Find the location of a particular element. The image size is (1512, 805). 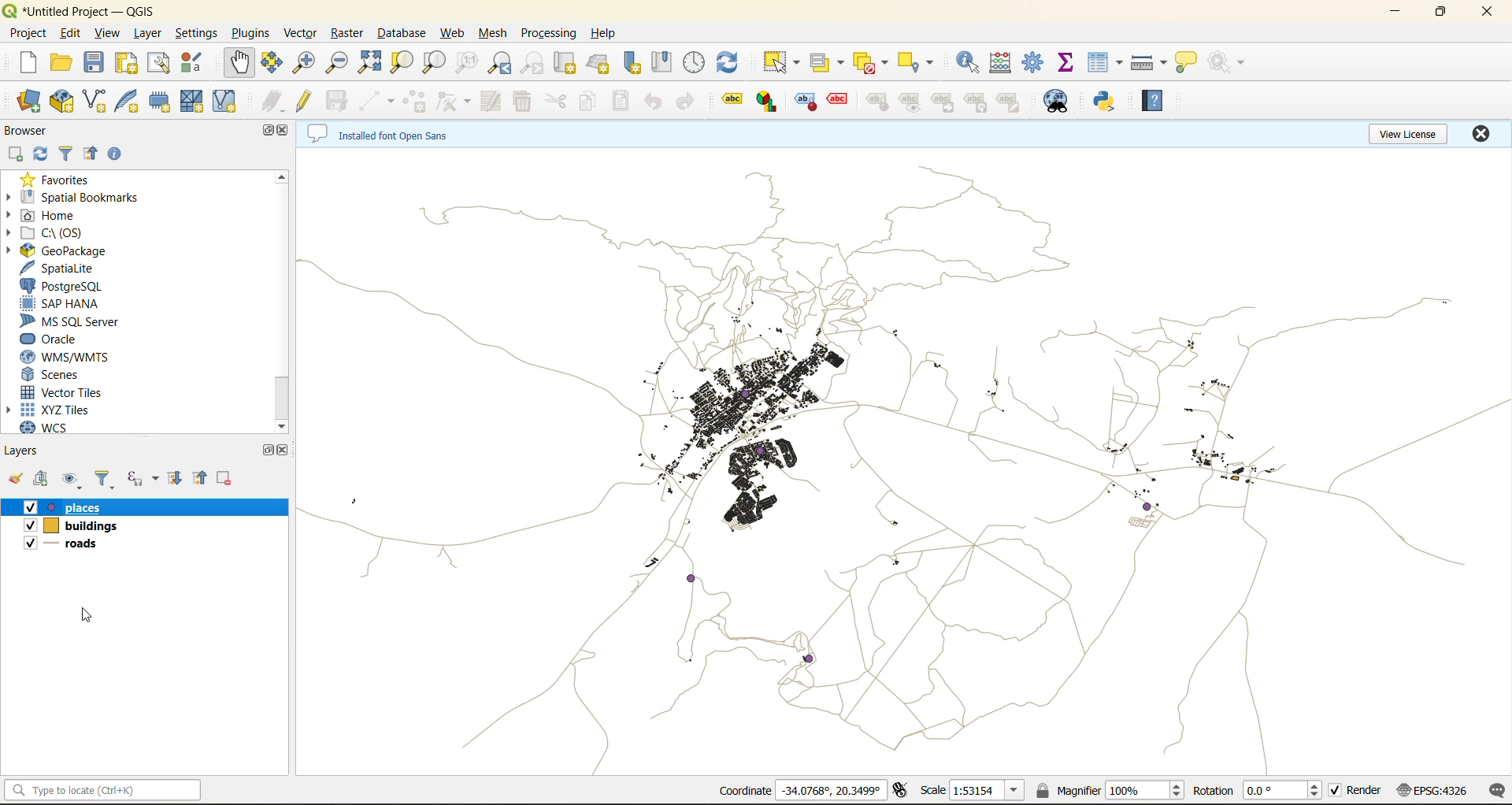

vector tiles is located at coordinates (65, 391).